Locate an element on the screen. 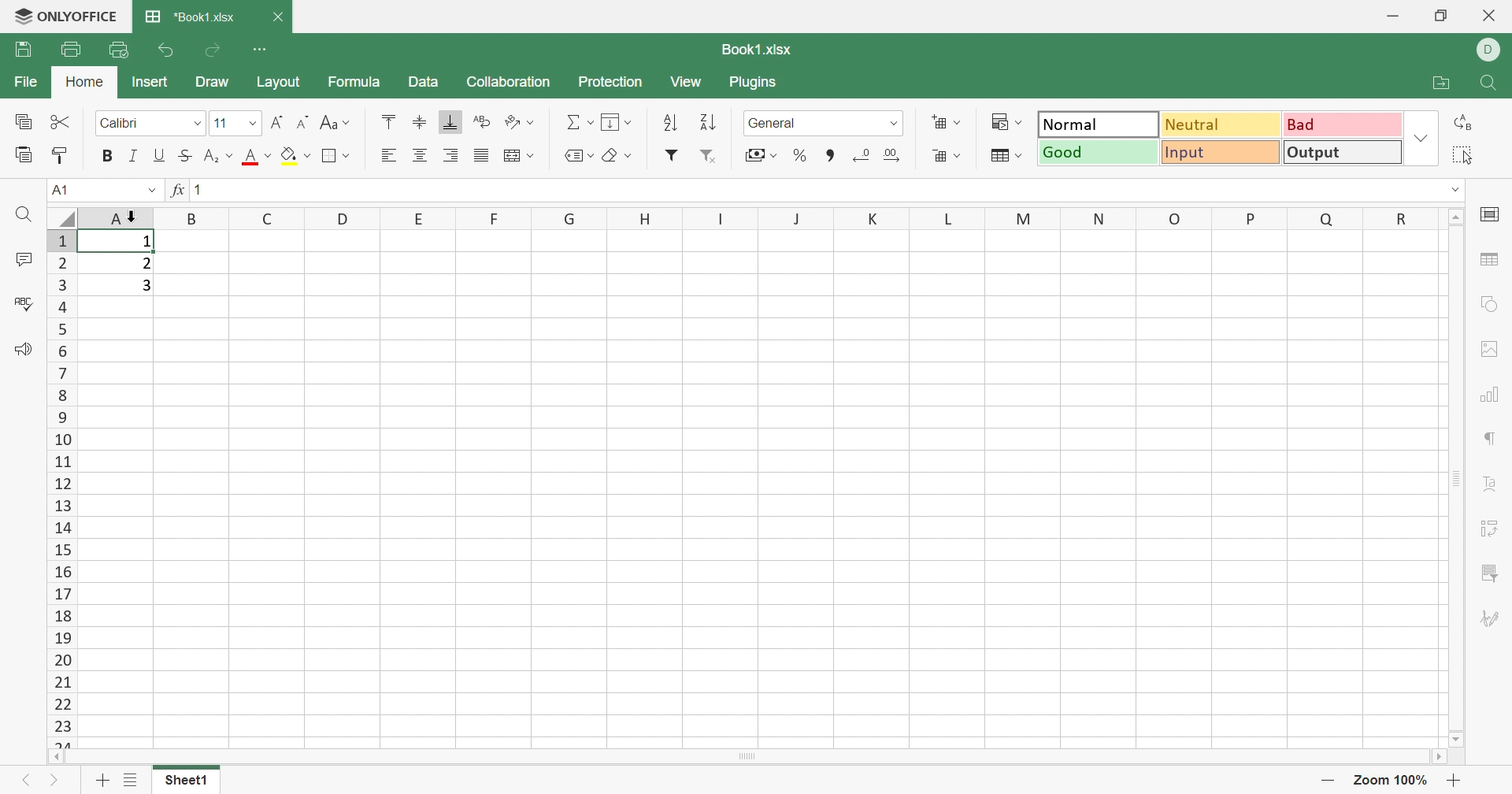 This screenshot has height=794, width=1512. Chart settings is located at coordinates (1491, 397).